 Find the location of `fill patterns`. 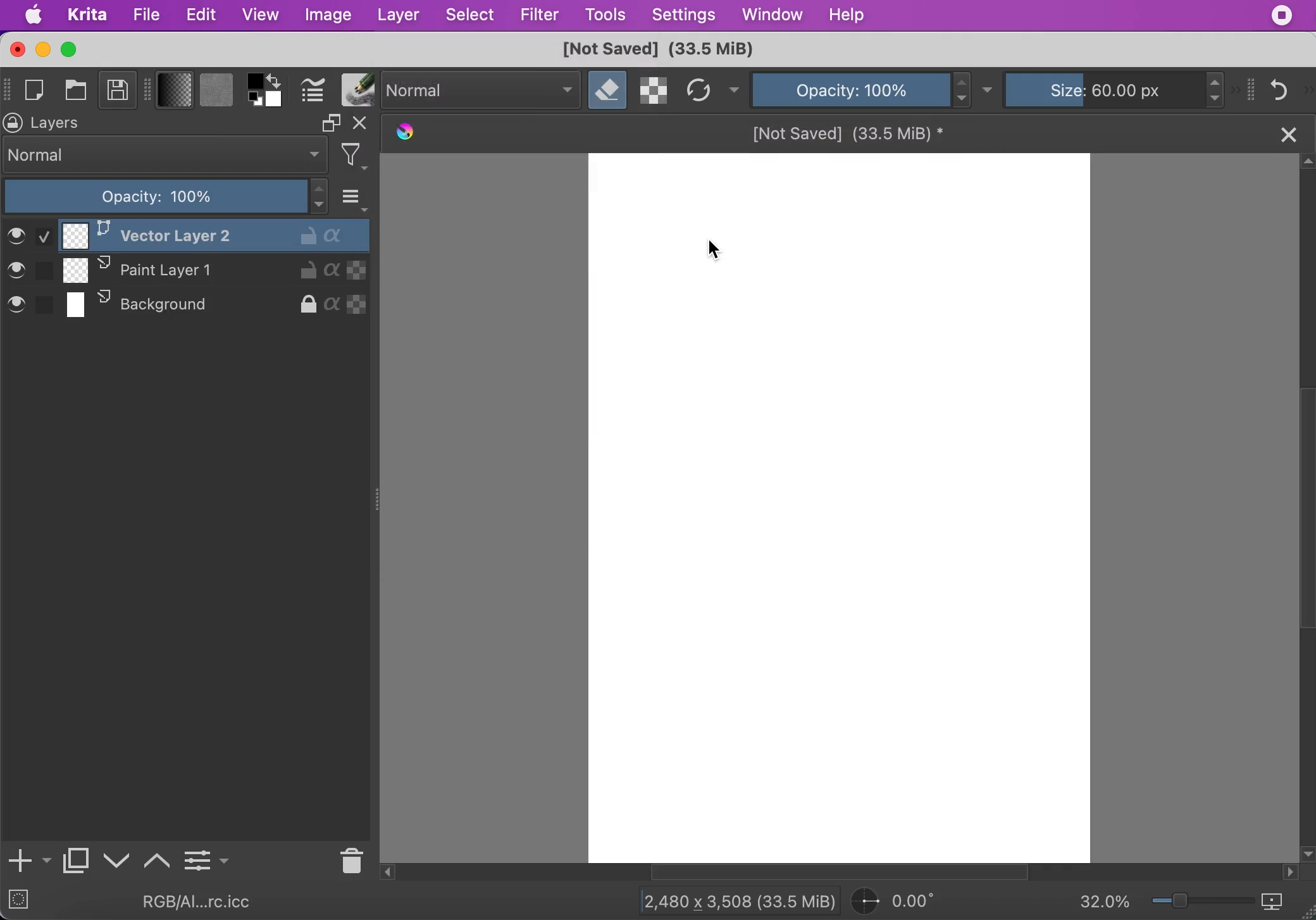

fill patterns is located at coordinates (216, 92).